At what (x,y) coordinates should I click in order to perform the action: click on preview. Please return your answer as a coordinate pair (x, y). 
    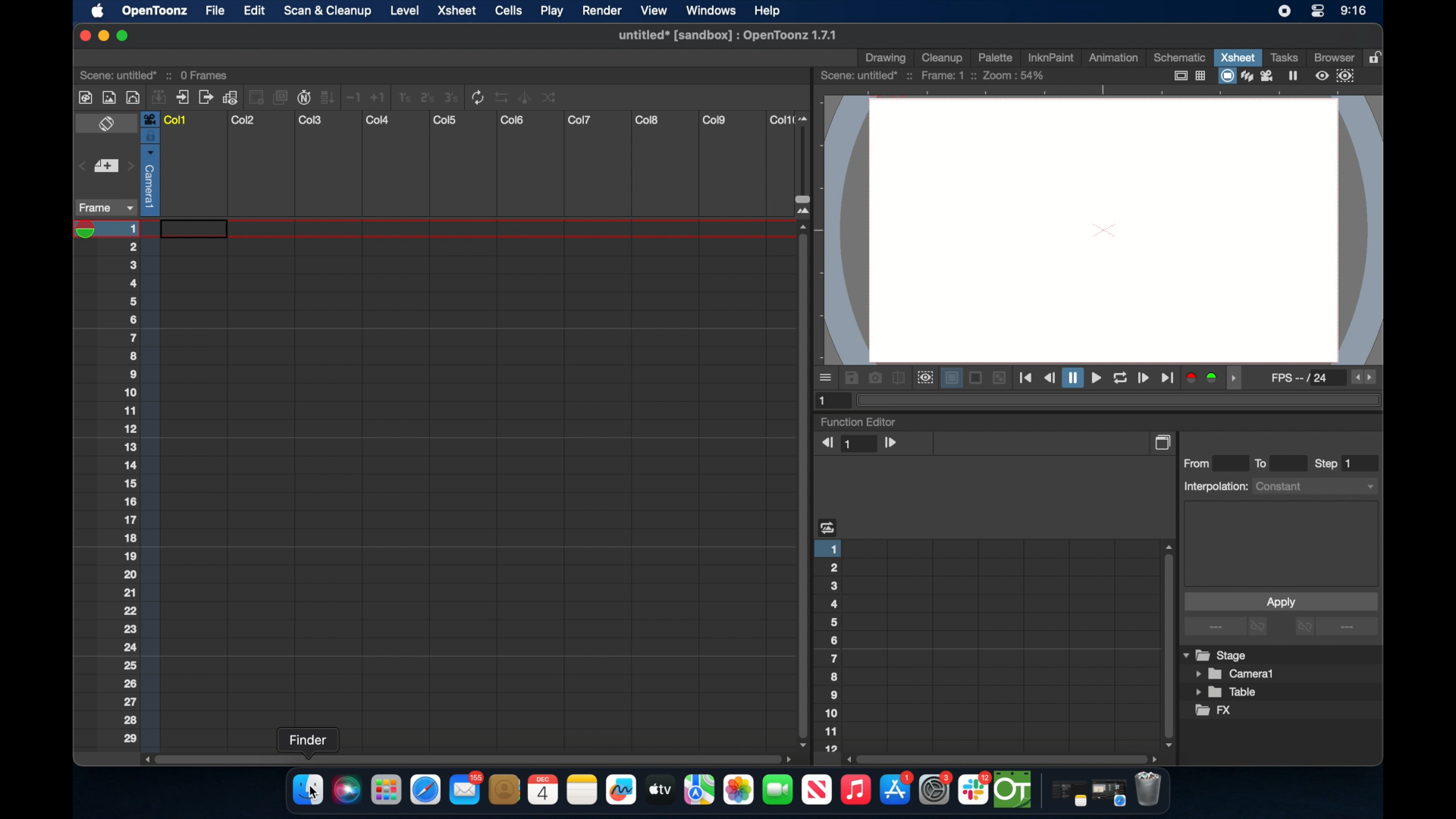
    Looking at the image, I should click on (1337, 76).